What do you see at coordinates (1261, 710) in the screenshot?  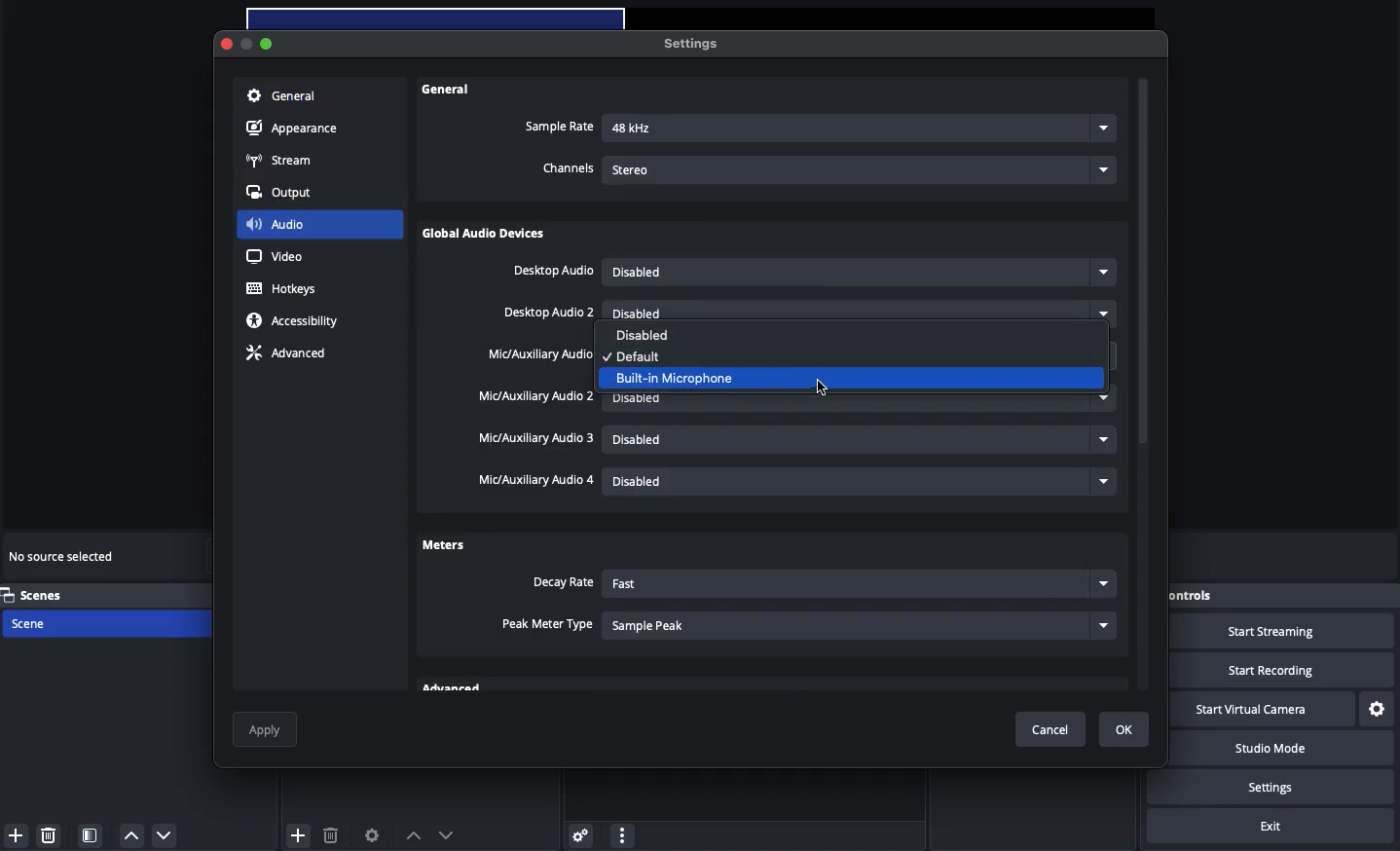 I see `Start virtual camera` at bounding box center [1261, 710].